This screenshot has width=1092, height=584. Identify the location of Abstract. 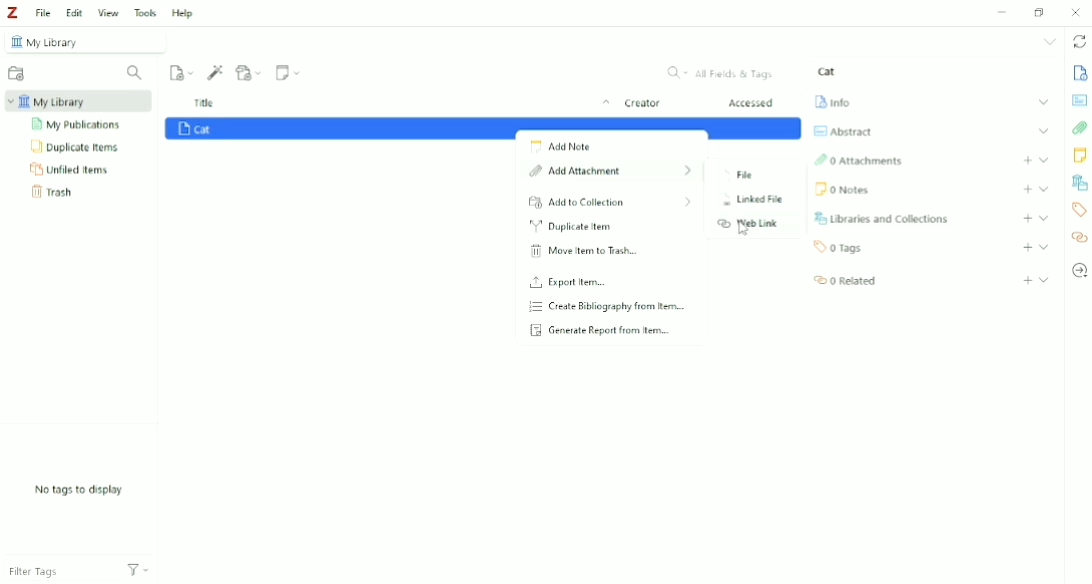
(1079, 99).